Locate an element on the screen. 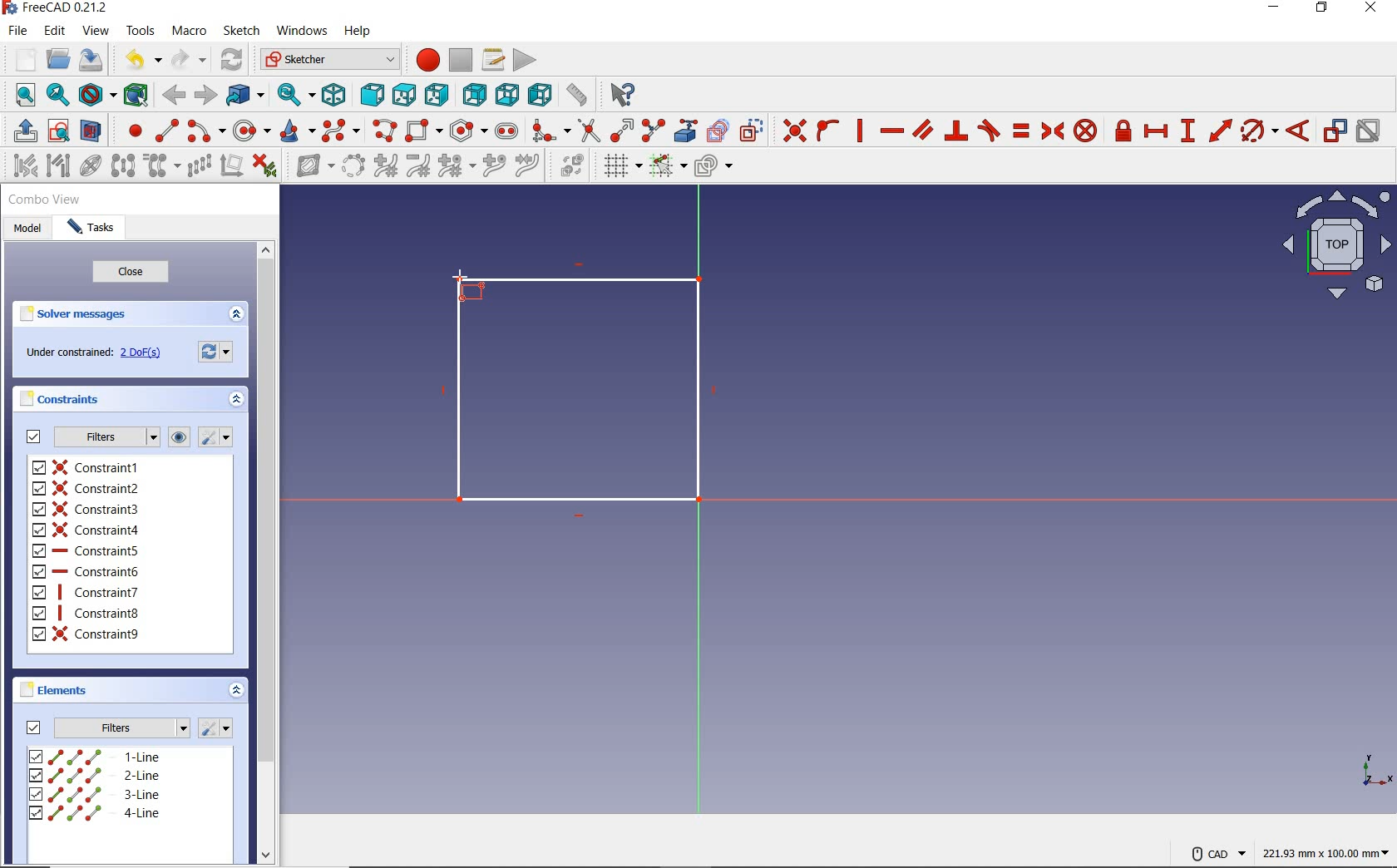 This screenshot has height=868, width=1397. front is located at coordinates (372, 96).